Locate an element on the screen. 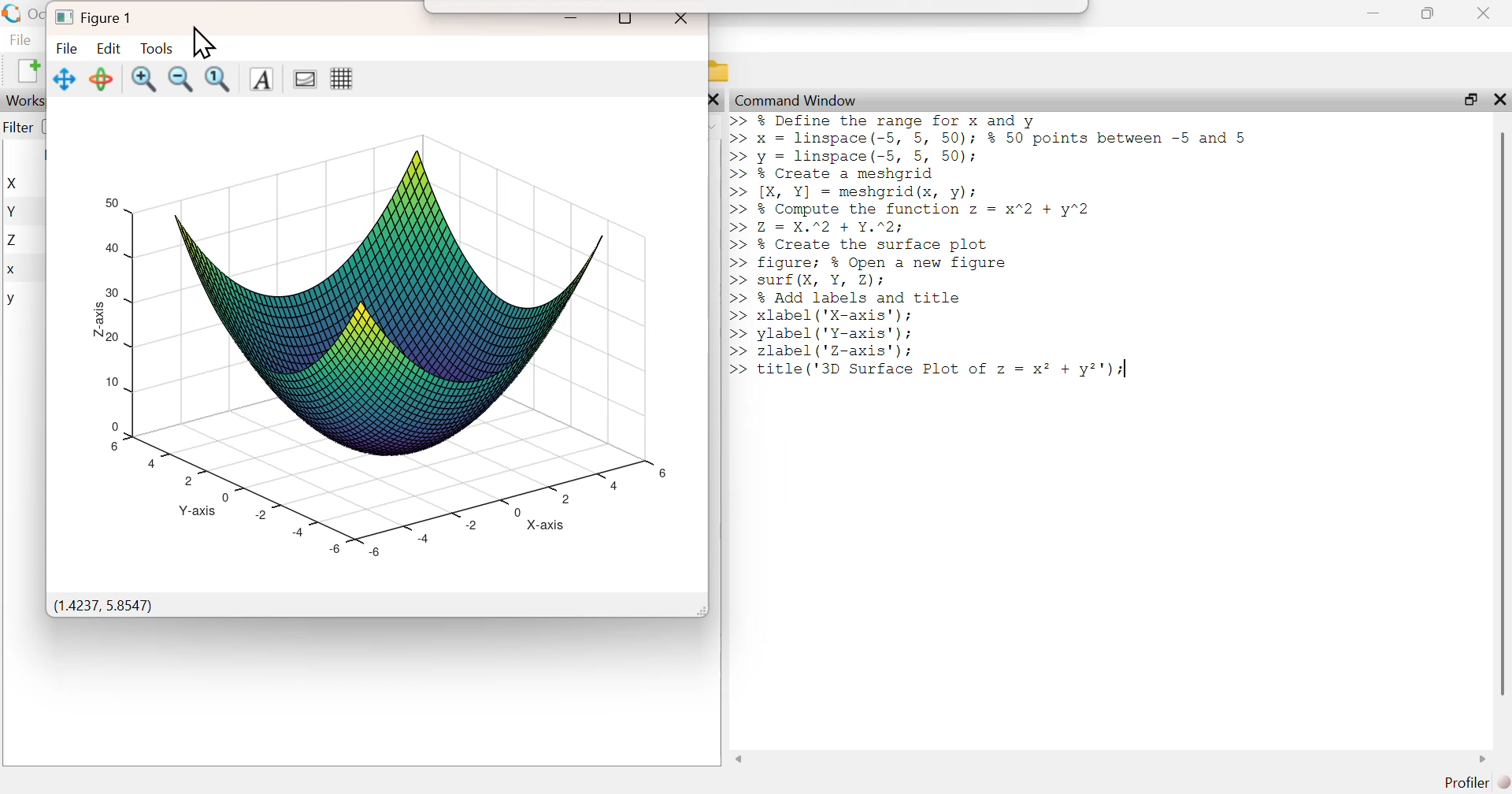 Image resolution: width=1512 pixels, height=794 pixels. Folder is located at coordinates (721, 72).